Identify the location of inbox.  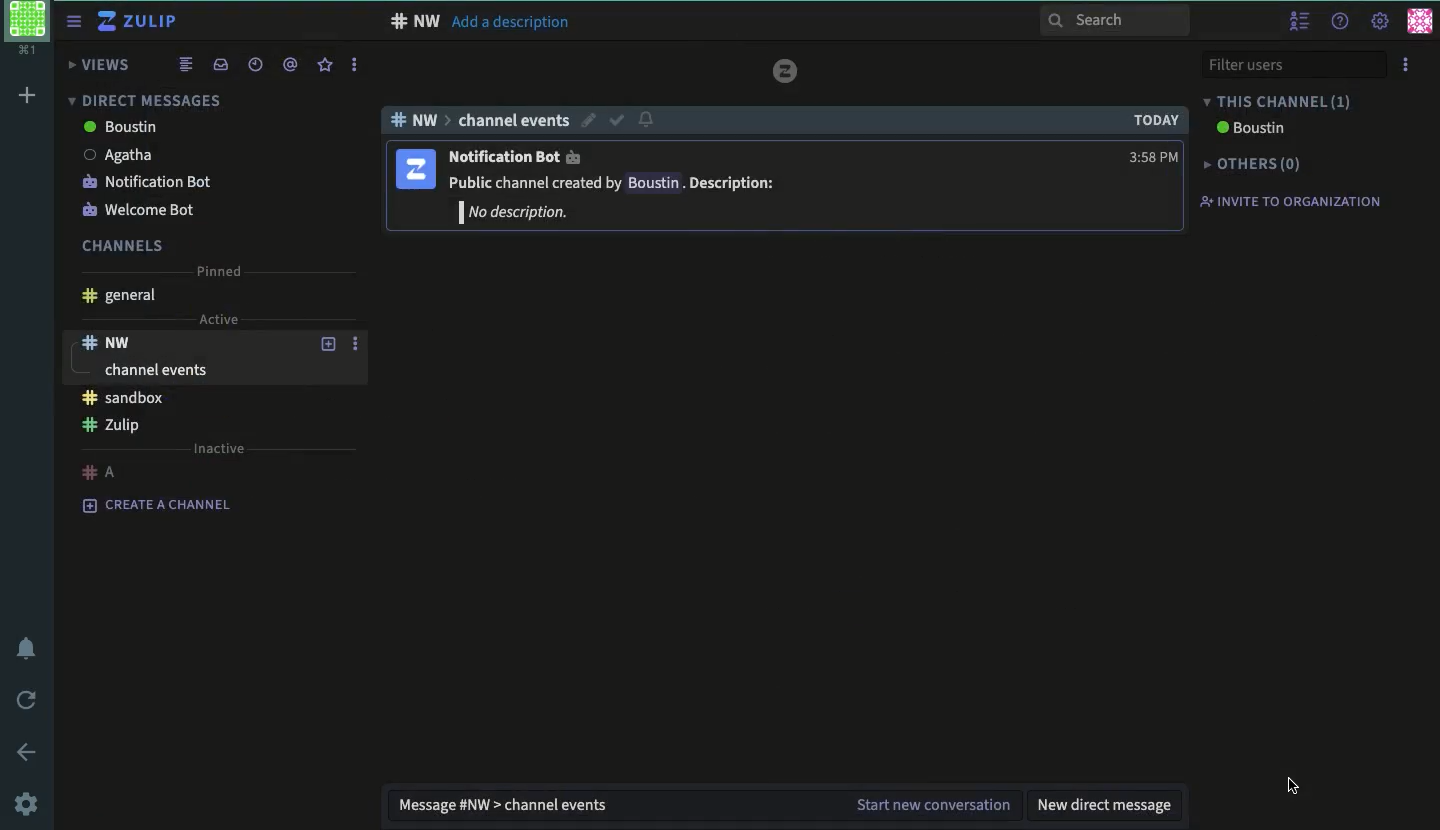
(220, 65).